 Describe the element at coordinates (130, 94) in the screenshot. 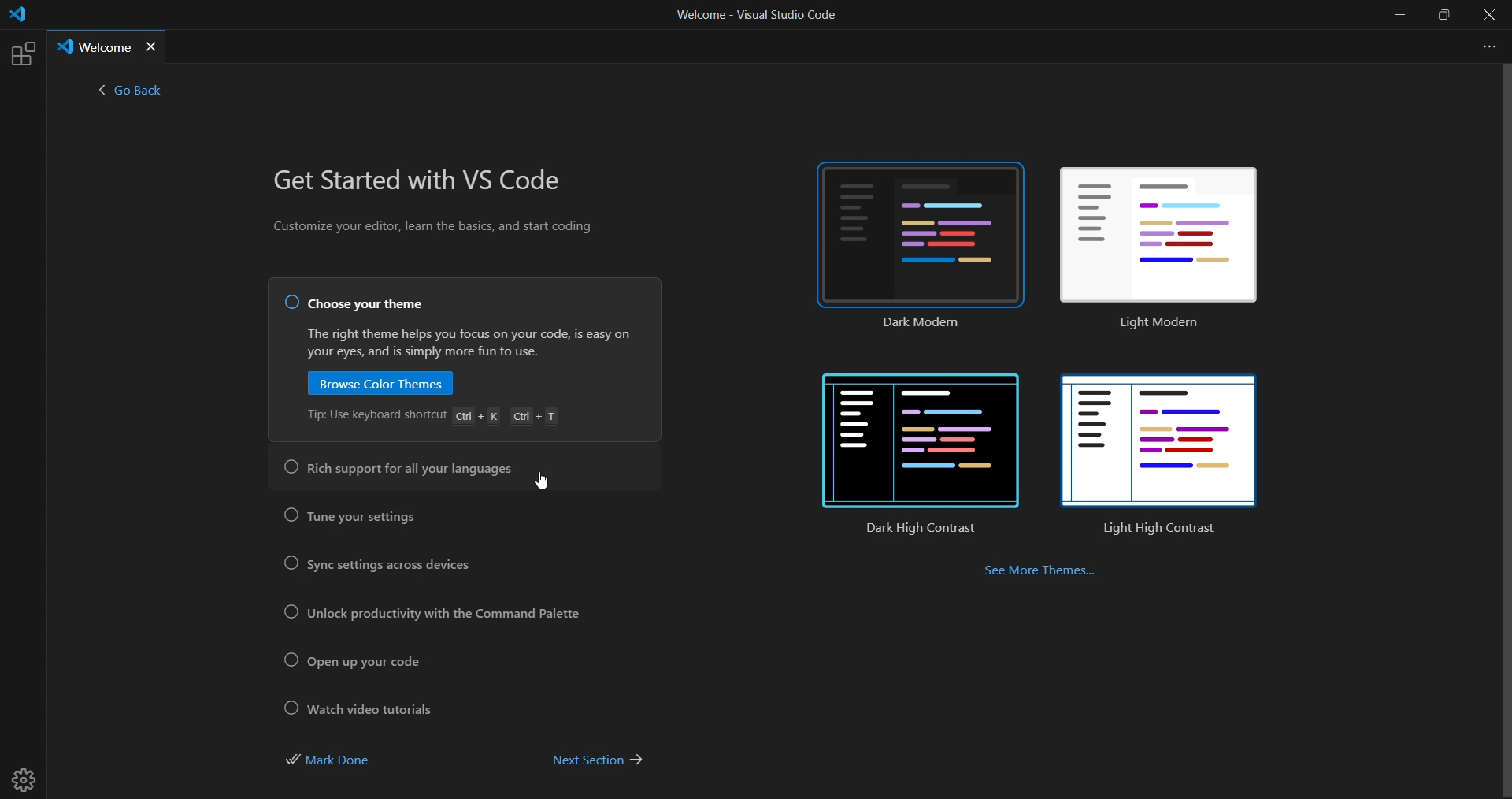

I see `< go back` at that location.